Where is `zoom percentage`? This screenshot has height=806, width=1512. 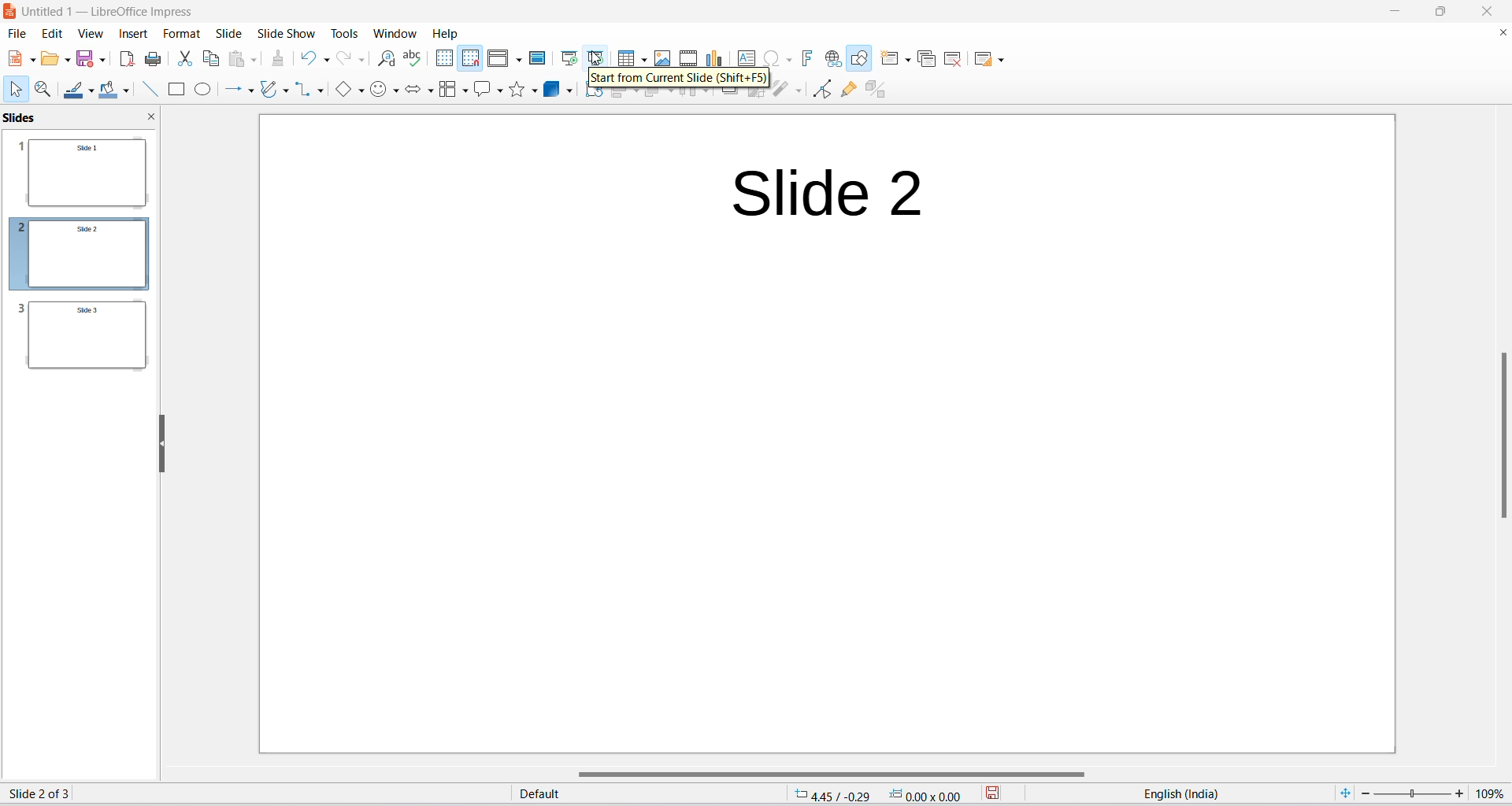
zoom percentage is located at coordinates (1493, 794).